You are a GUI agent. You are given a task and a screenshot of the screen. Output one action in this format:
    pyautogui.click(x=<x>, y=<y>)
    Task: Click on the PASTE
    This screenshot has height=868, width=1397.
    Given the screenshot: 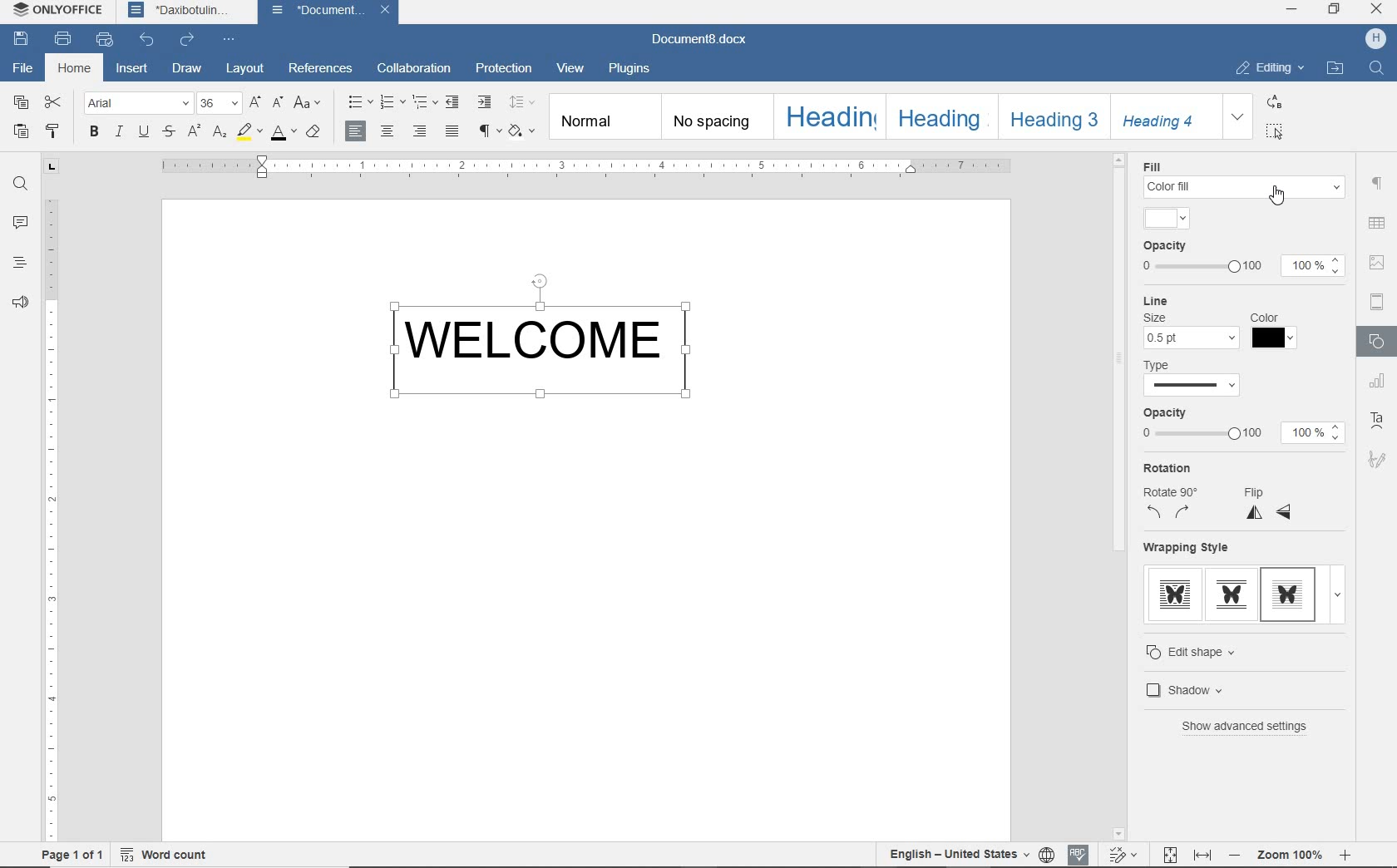 What is the action you would take?
    pyautogui.click(x=22, y=131)
    